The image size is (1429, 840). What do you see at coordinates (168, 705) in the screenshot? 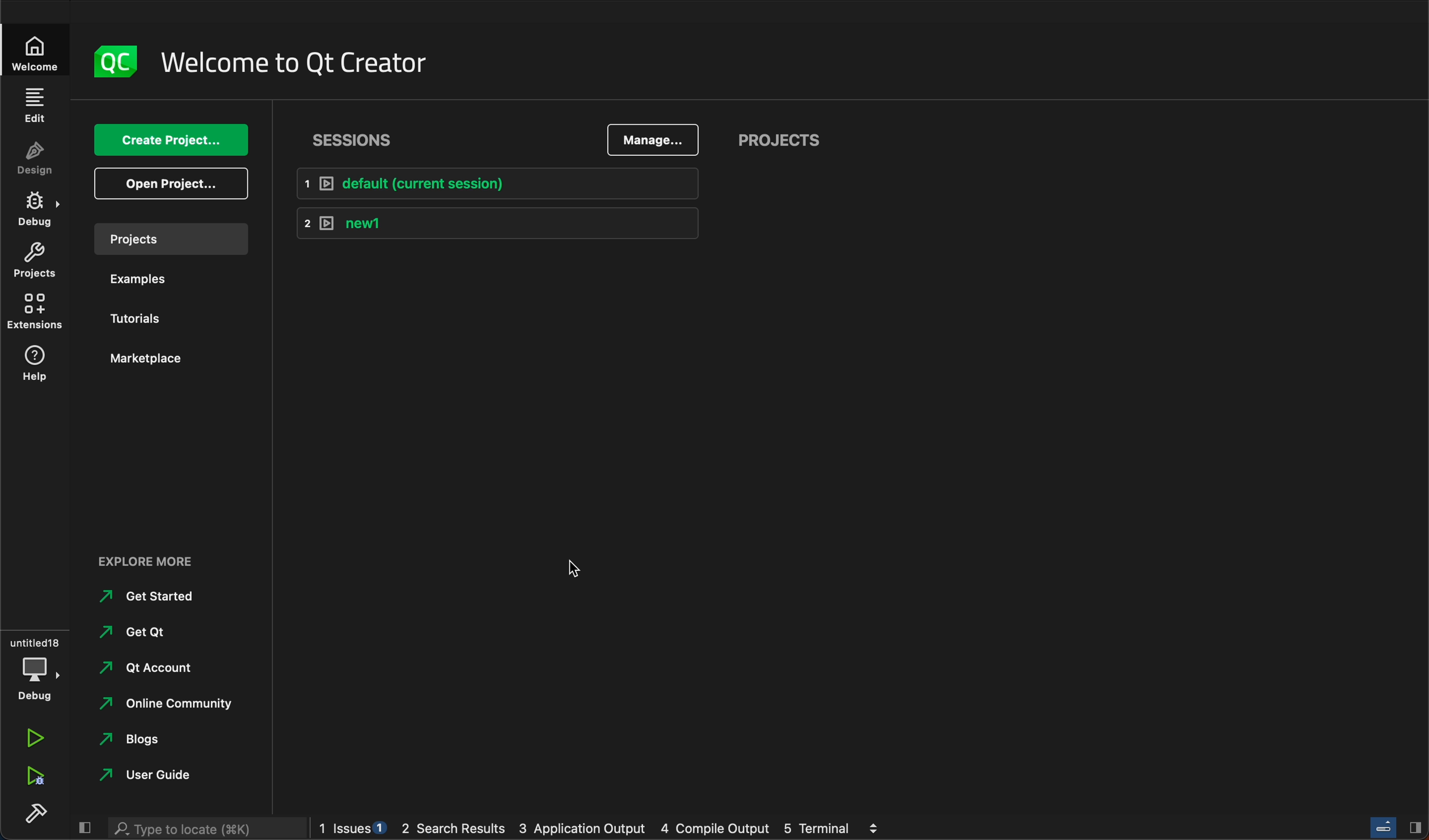
I see `community` at bounding box center [168, 705].